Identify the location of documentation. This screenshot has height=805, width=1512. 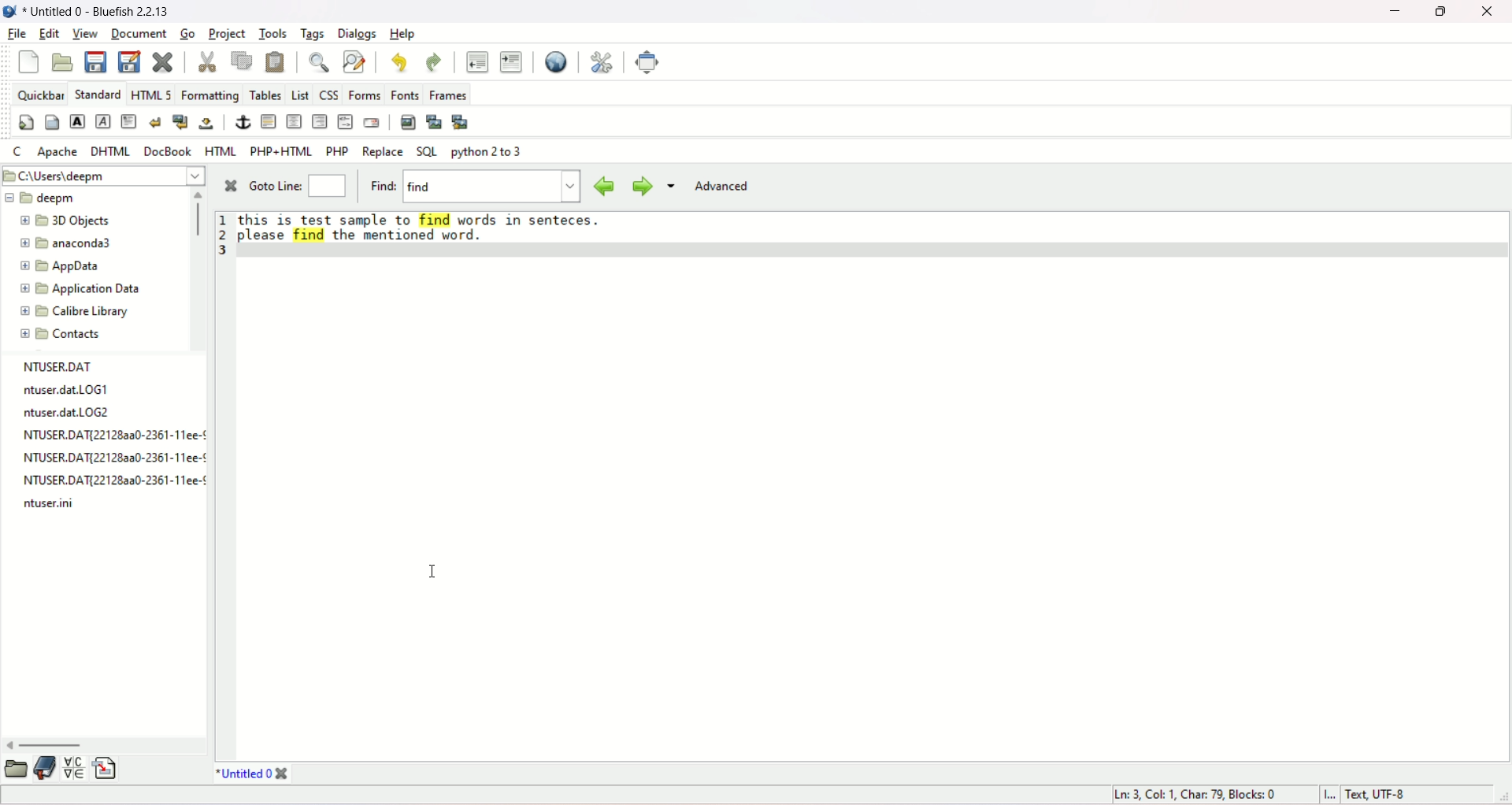
(44, 769).